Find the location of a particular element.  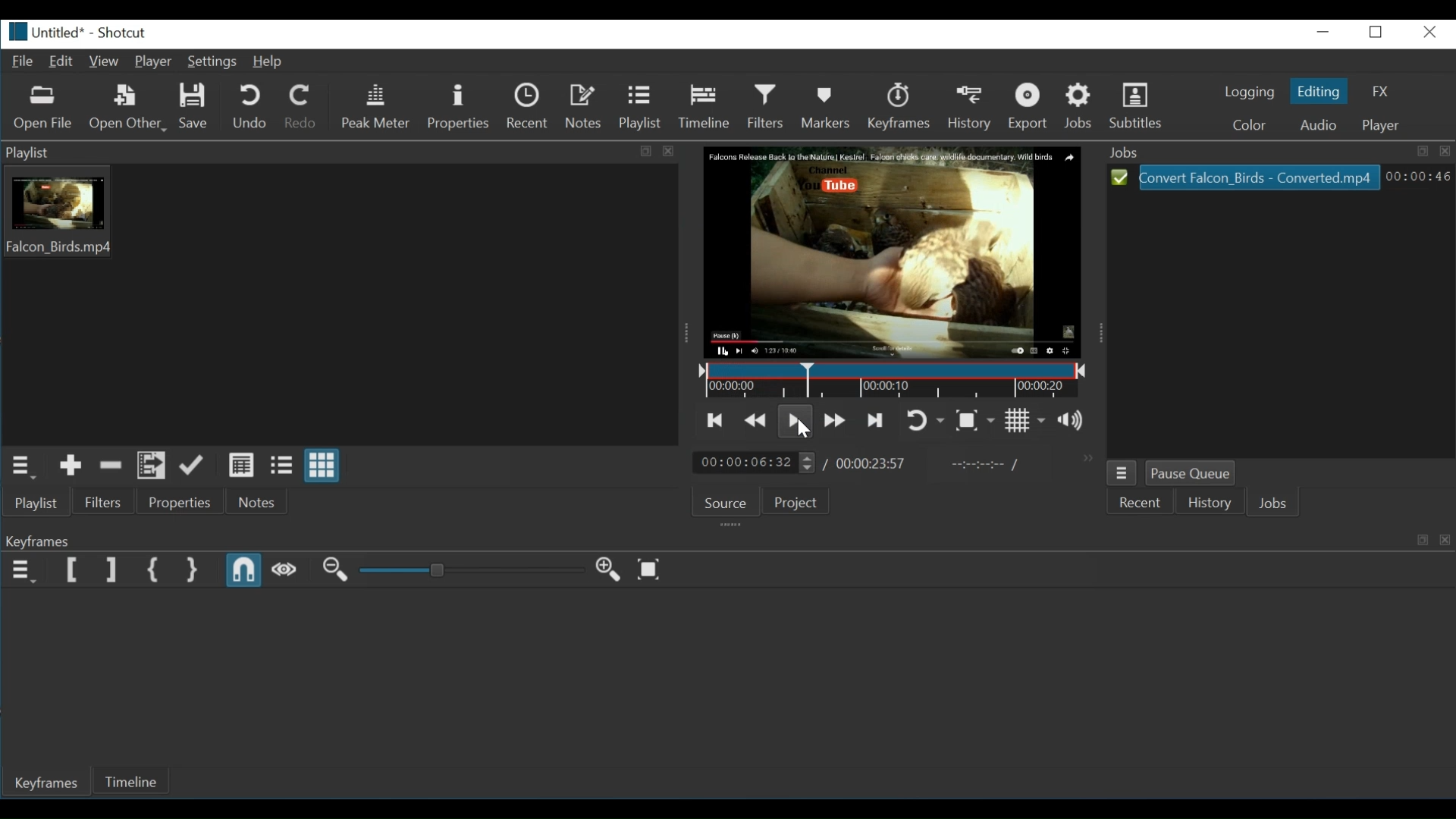

close is located at coordinates (1431, 32).